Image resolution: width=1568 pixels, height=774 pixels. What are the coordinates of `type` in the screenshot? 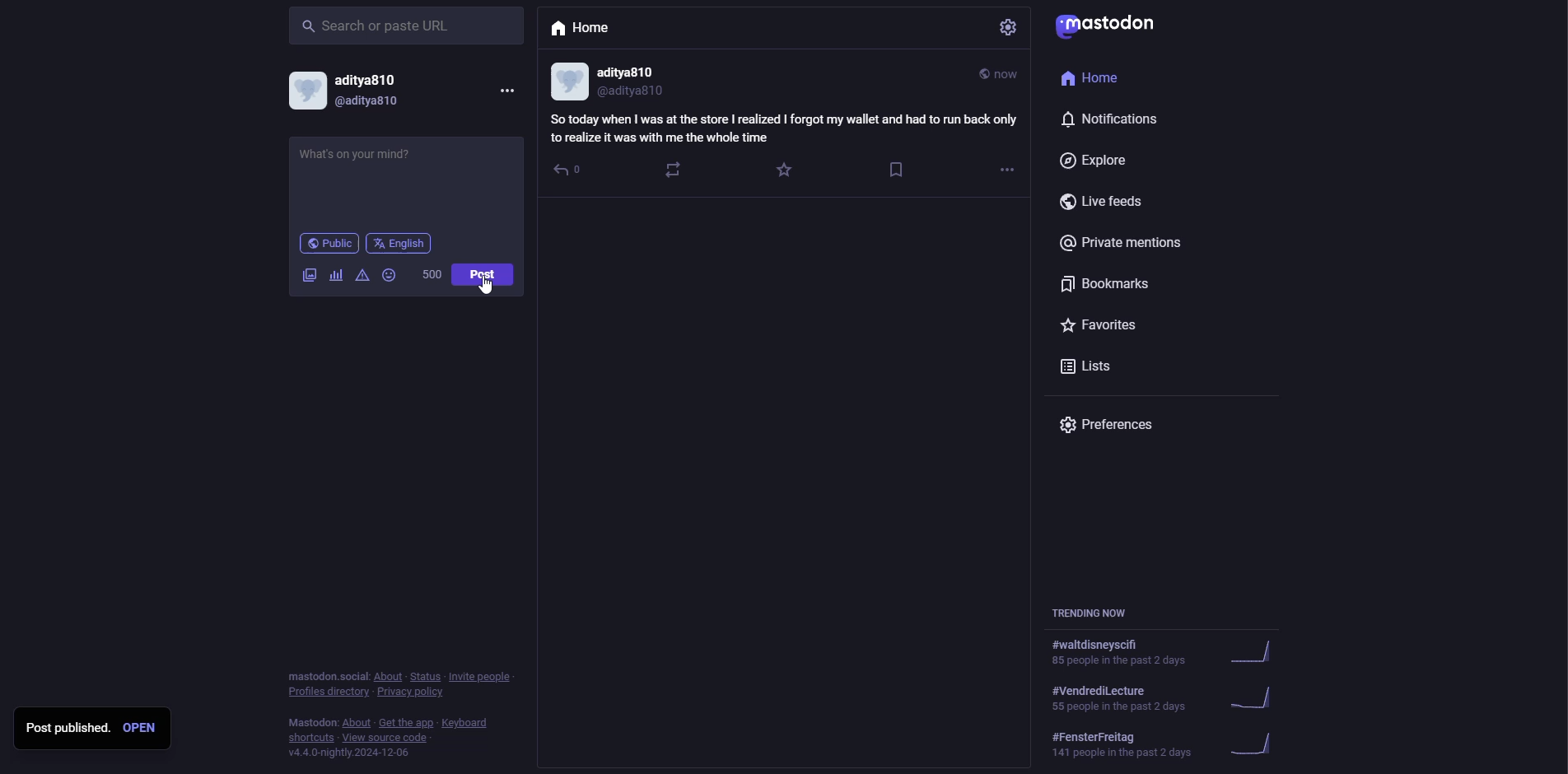 It's located at (362, 161).